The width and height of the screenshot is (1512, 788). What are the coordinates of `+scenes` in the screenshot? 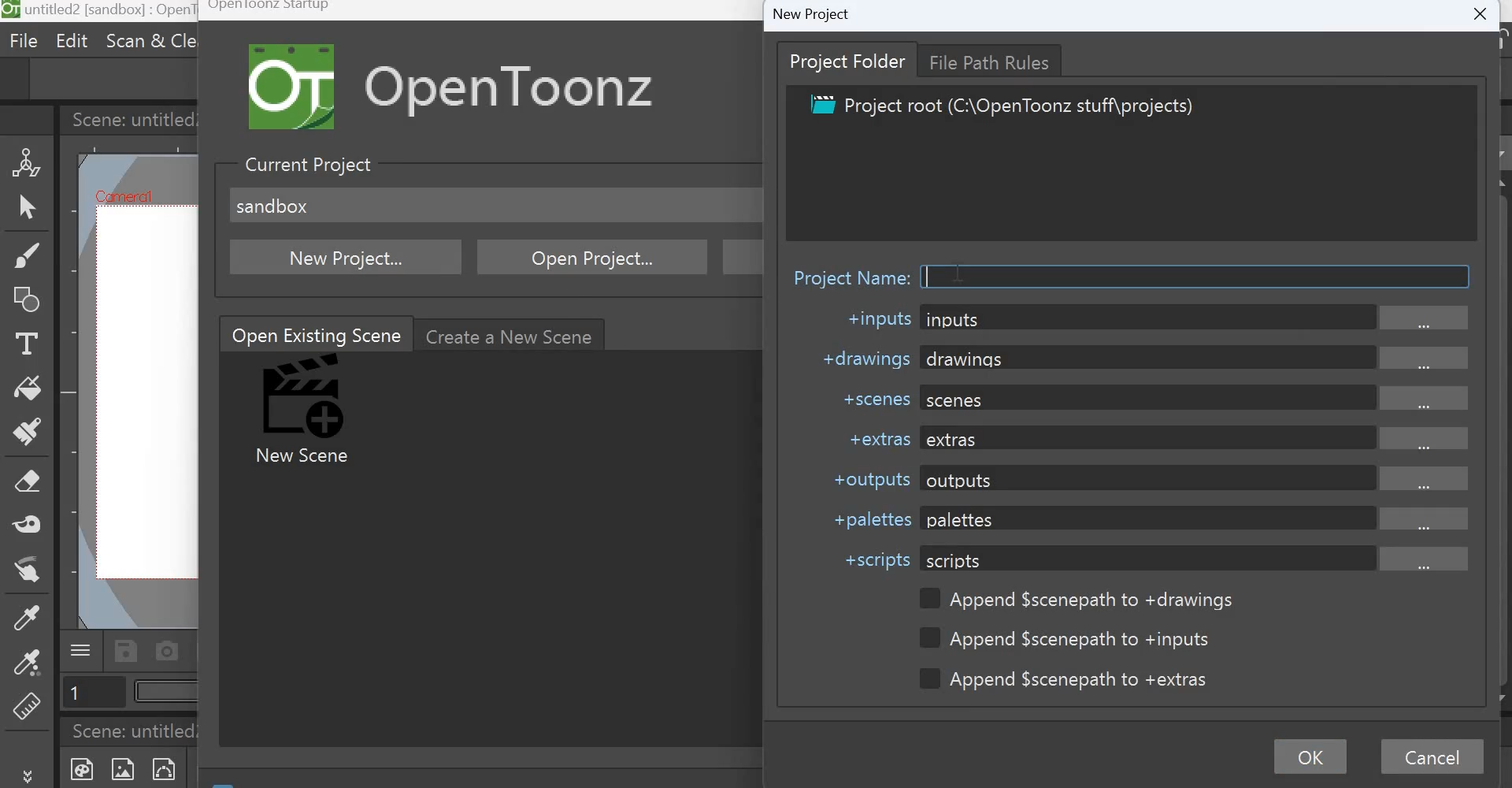 It's located at (872, 397).